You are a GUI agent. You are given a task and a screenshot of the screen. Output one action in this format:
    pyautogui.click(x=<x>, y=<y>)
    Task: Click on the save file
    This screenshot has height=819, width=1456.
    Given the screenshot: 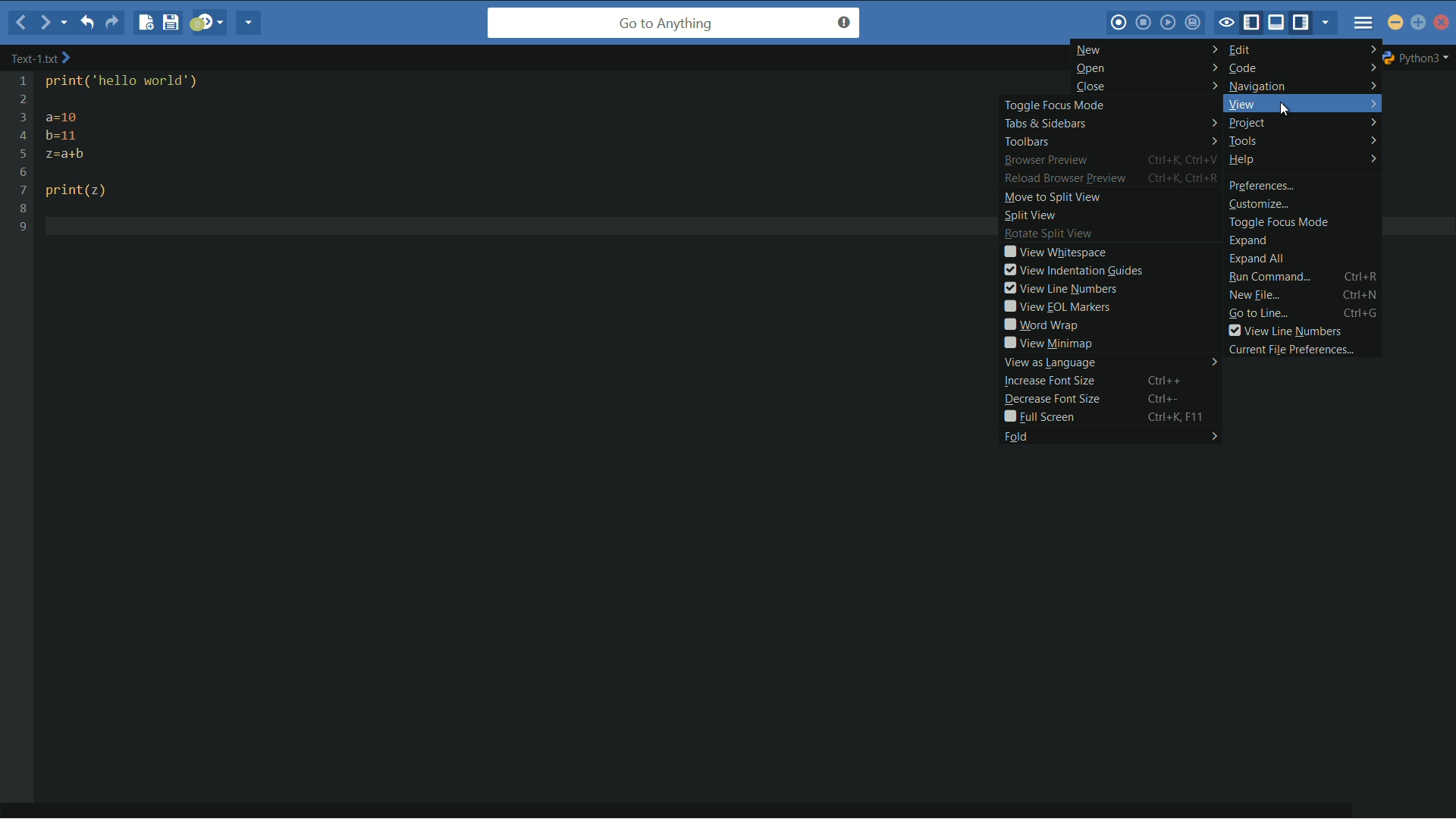 What is the action you would take?
    pyautogui.click(x=171, y=23)
    